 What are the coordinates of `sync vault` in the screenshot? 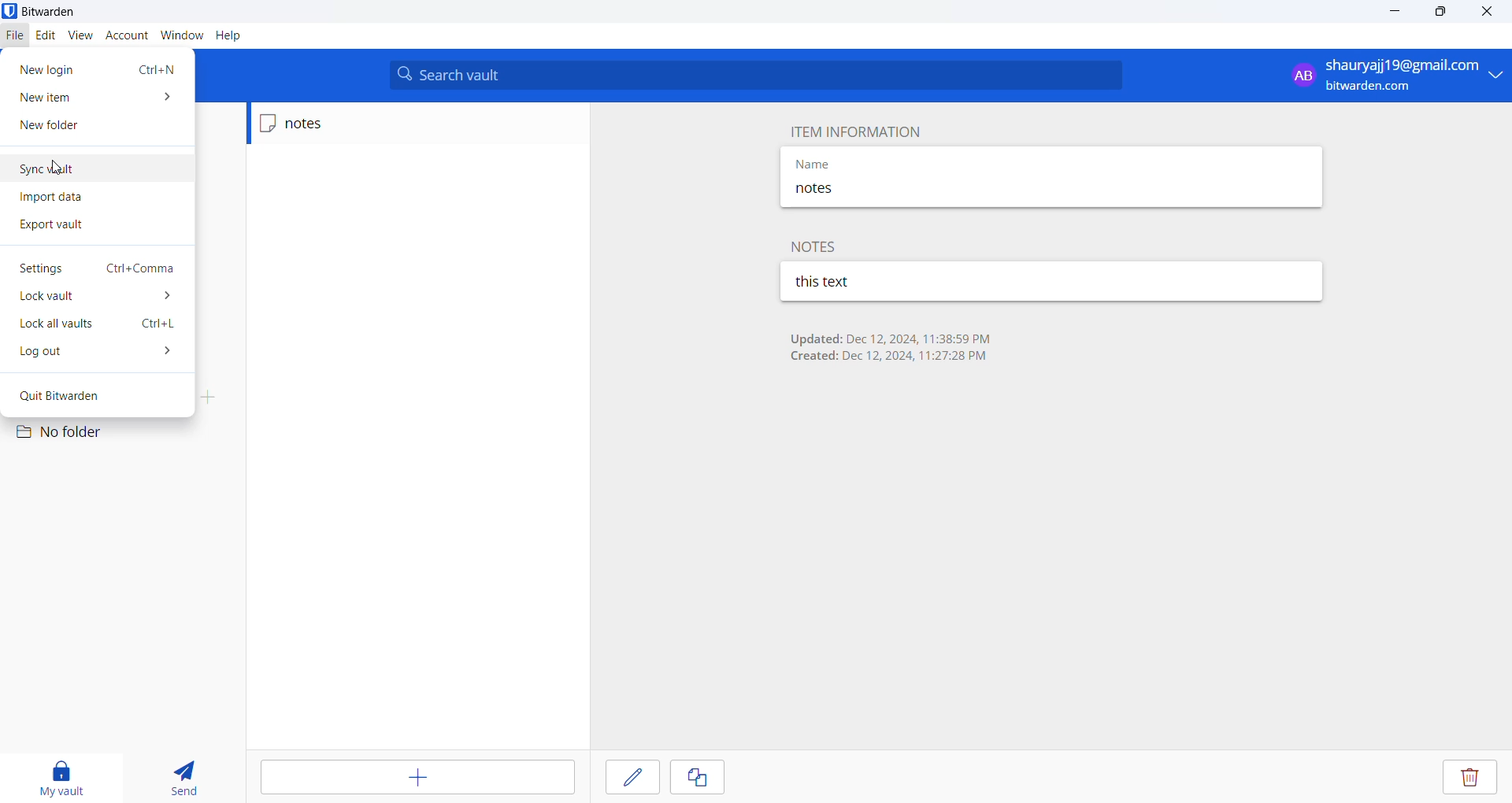 It's located at (80, 168).